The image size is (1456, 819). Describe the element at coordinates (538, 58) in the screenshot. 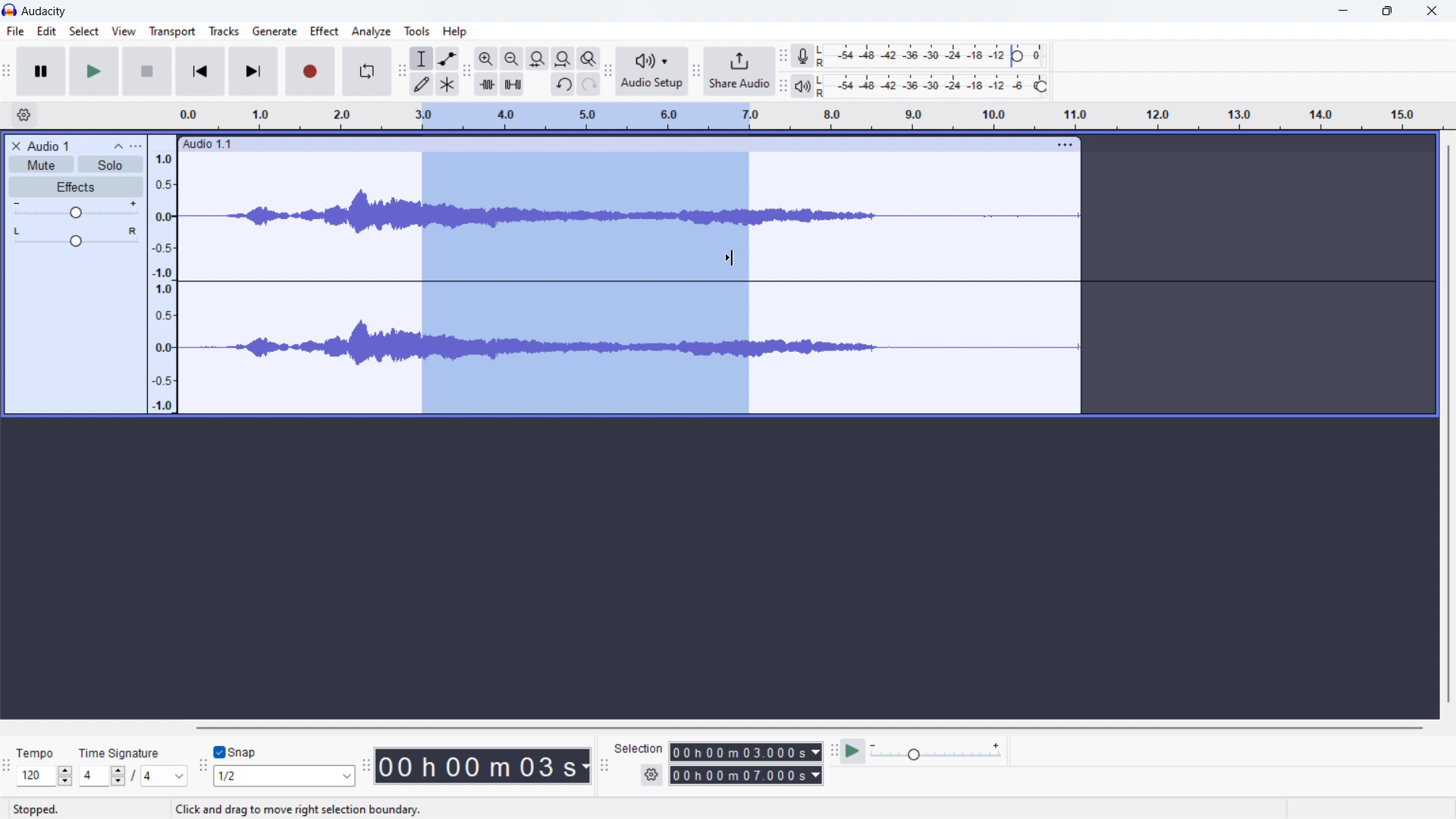

I see `fill selection to width` at that location.